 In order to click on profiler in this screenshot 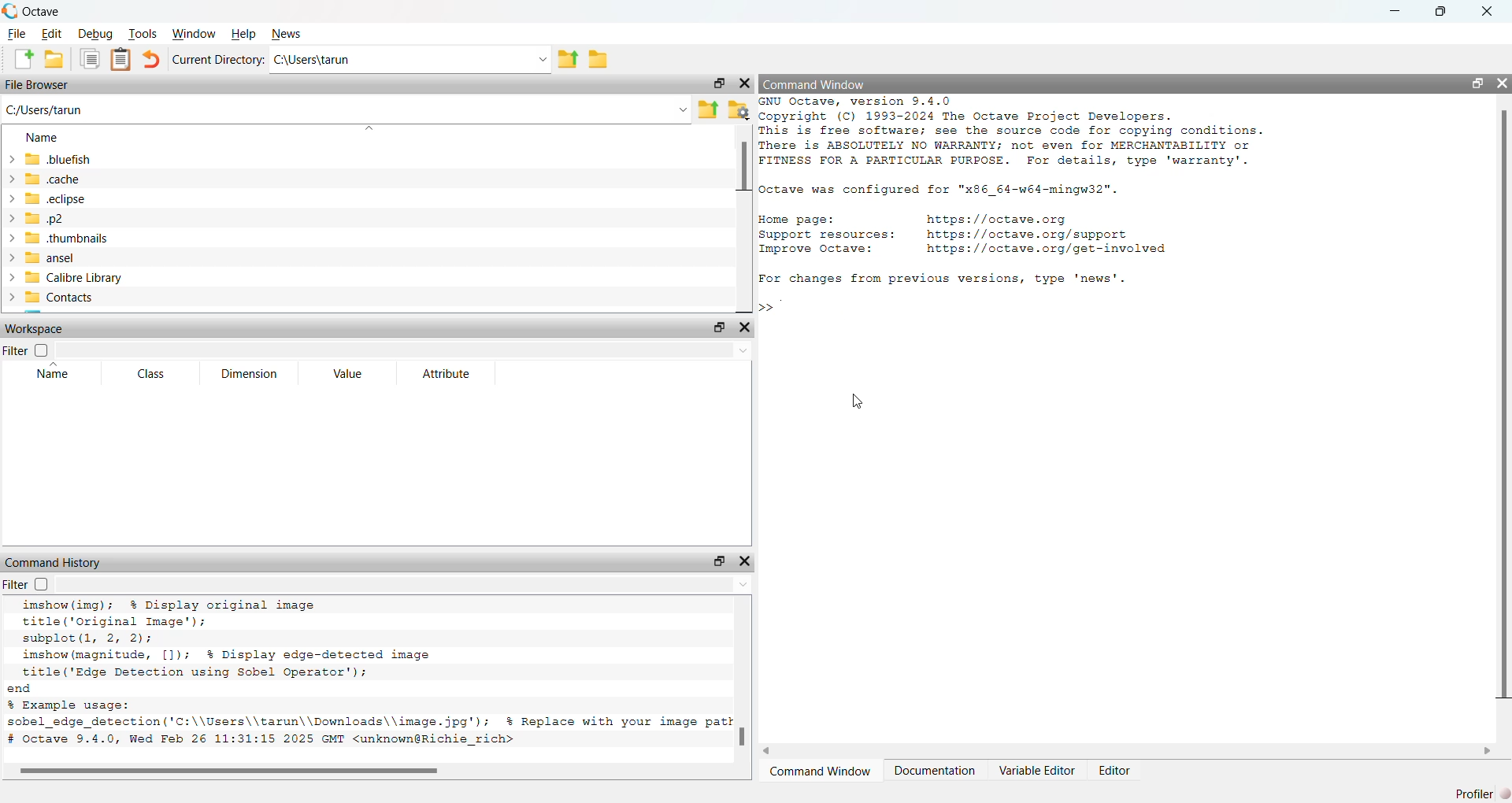, I will do `click(1475, 788)`.